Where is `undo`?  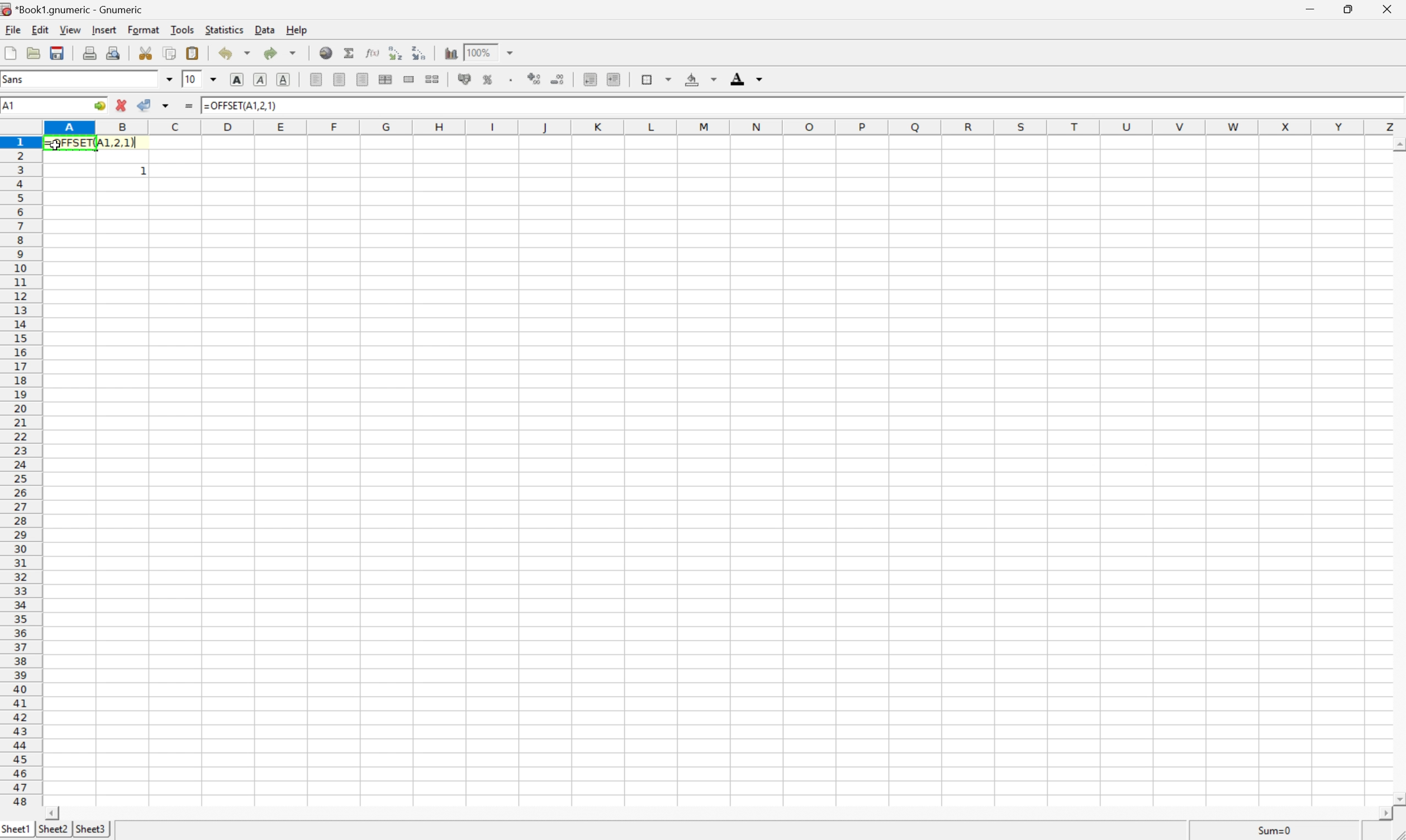 undo is located at coordinates (235, 53).